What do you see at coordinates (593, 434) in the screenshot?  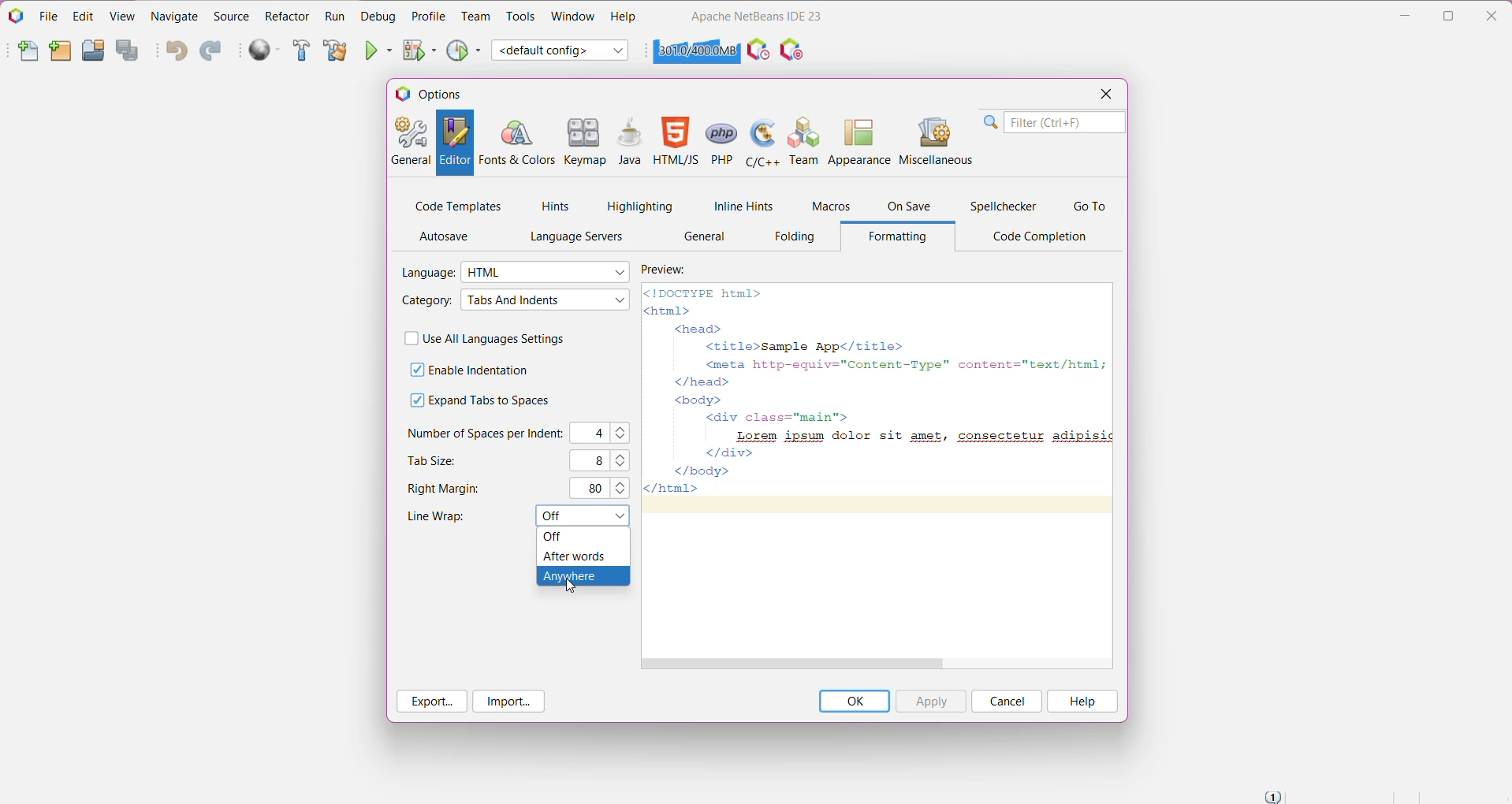 I see `C4` at bounding box center [593, 434].